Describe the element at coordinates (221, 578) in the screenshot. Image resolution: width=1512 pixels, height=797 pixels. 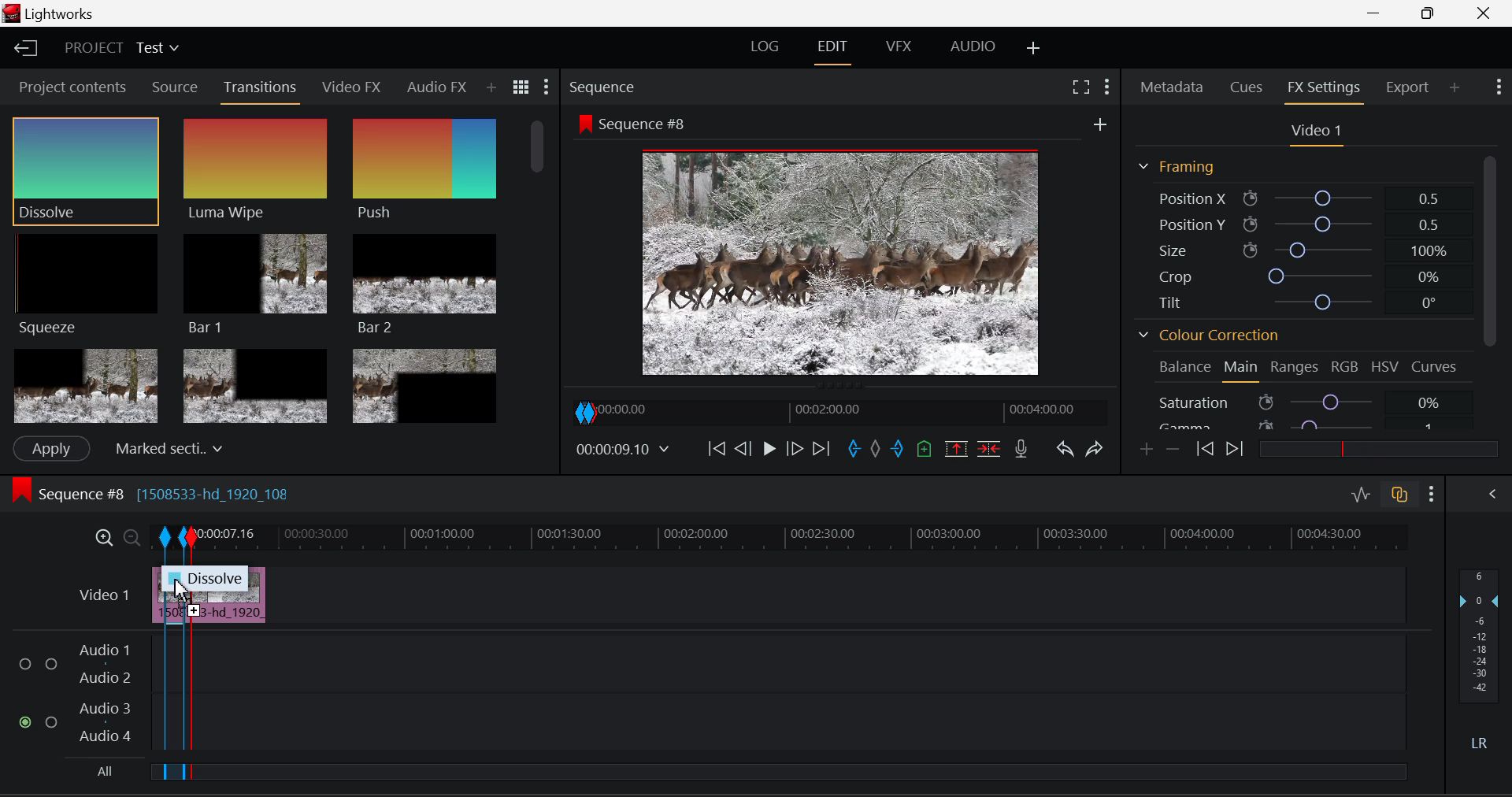
I see `Dissolve` at that location.